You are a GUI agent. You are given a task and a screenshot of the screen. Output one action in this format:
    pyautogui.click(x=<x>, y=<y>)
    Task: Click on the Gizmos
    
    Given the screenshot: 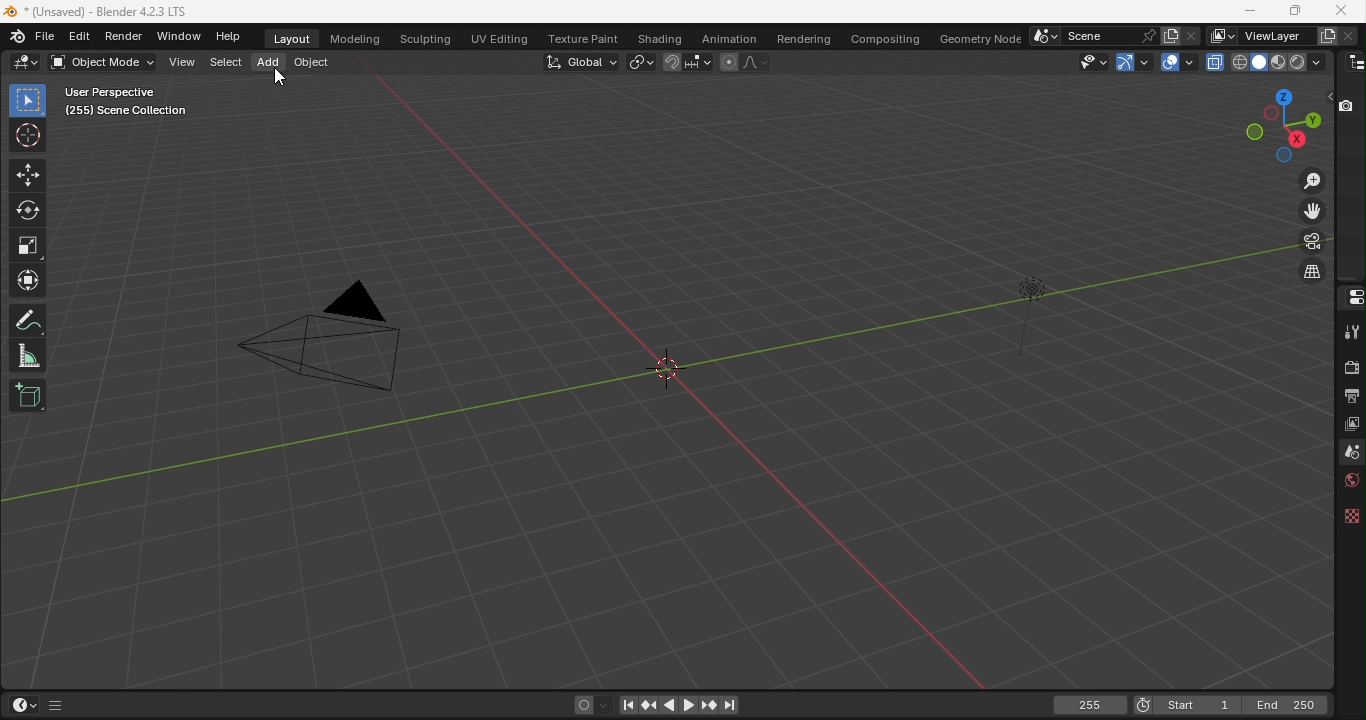 What is the action you would take?
    pyautogui.click(x=1146, y=60)
    